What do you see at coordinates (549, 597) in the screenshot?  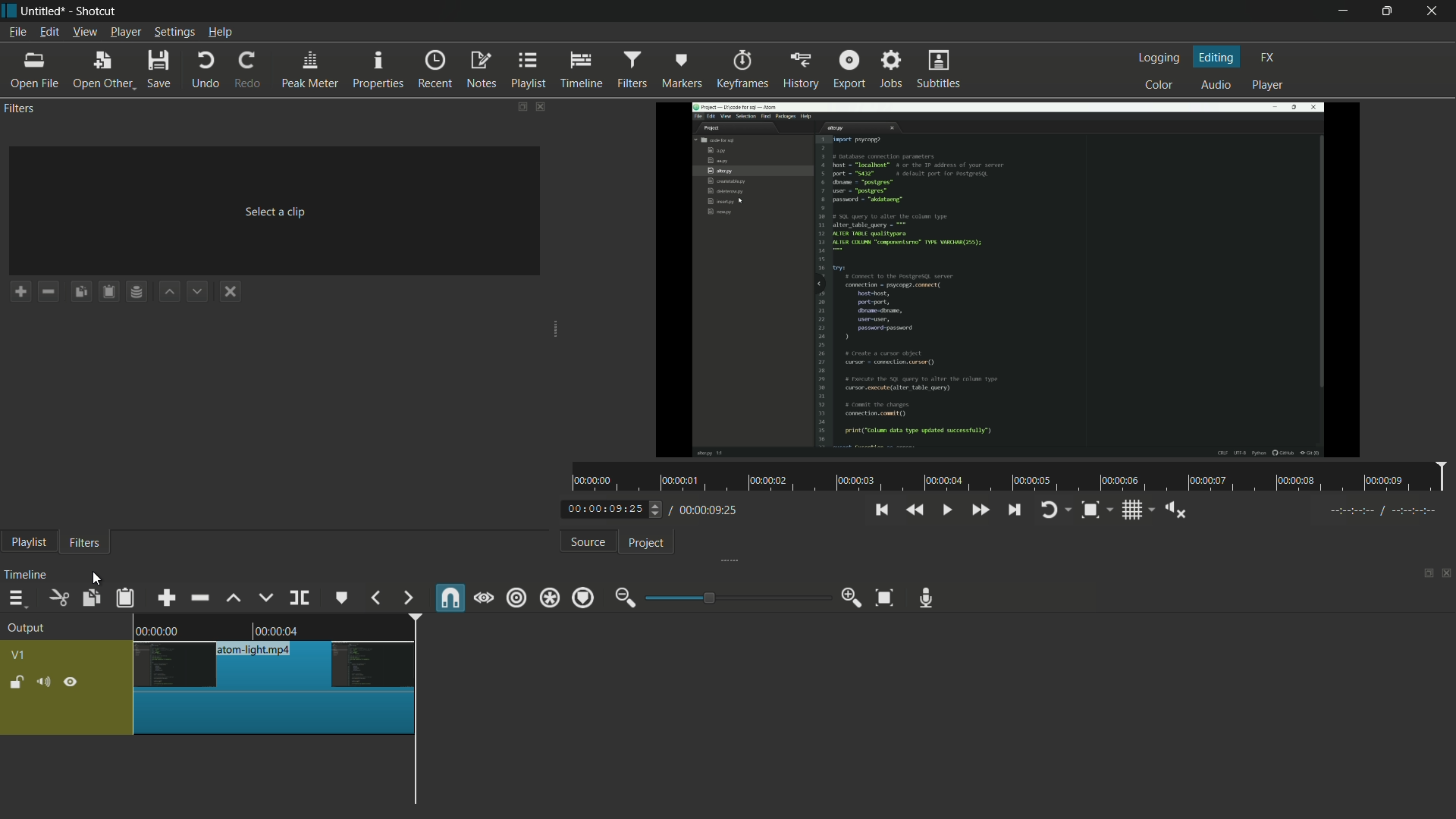 I see `ripple all tracks` at bounding box center [549, 597].